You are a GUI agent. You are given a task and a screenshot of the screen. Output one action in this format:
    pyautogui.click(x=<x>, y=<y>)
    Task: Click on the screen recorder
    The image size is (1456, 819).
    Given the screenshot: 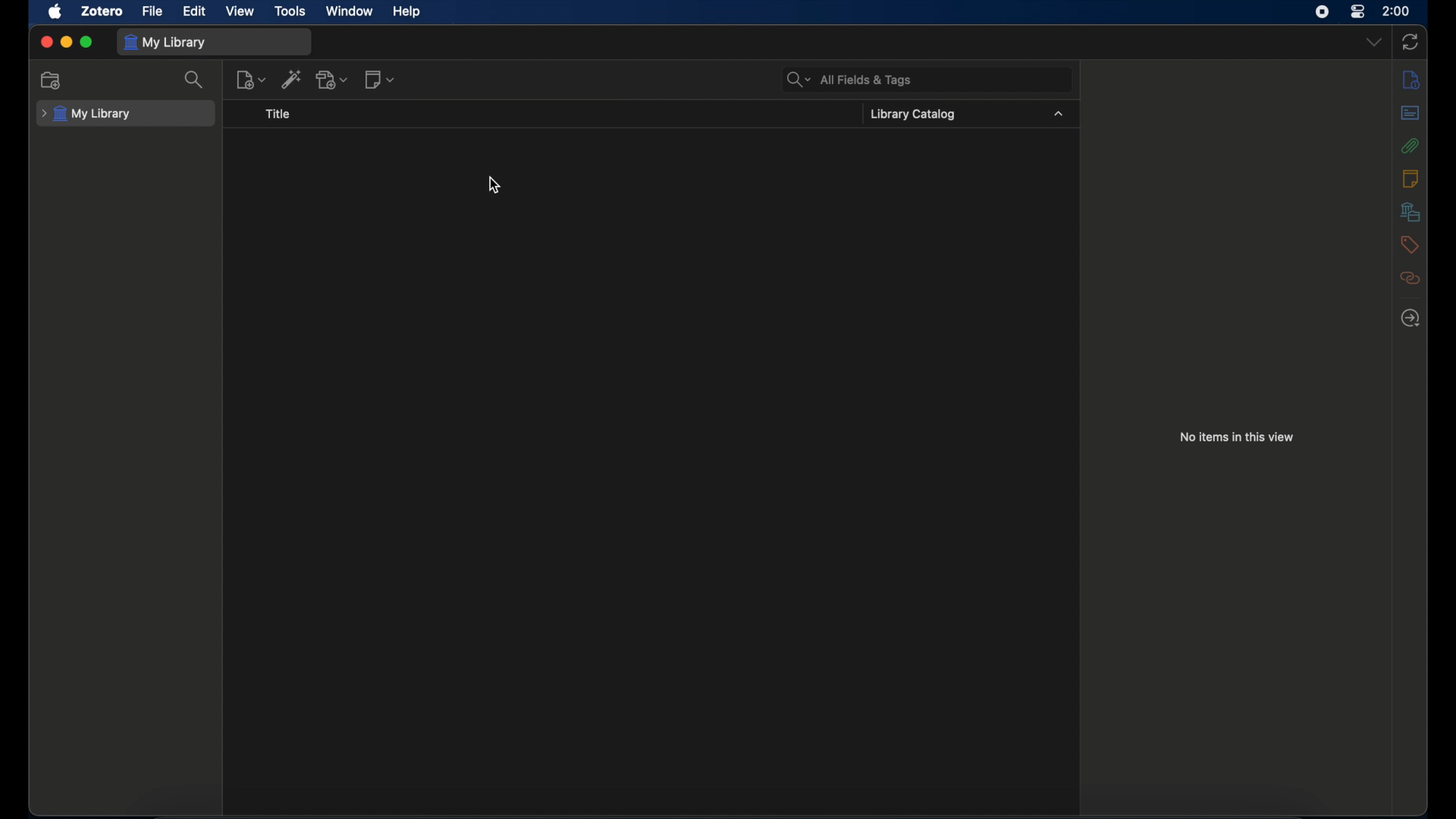 What is the action you would take?
    pyautogui.click(x=1323, y=12)
    